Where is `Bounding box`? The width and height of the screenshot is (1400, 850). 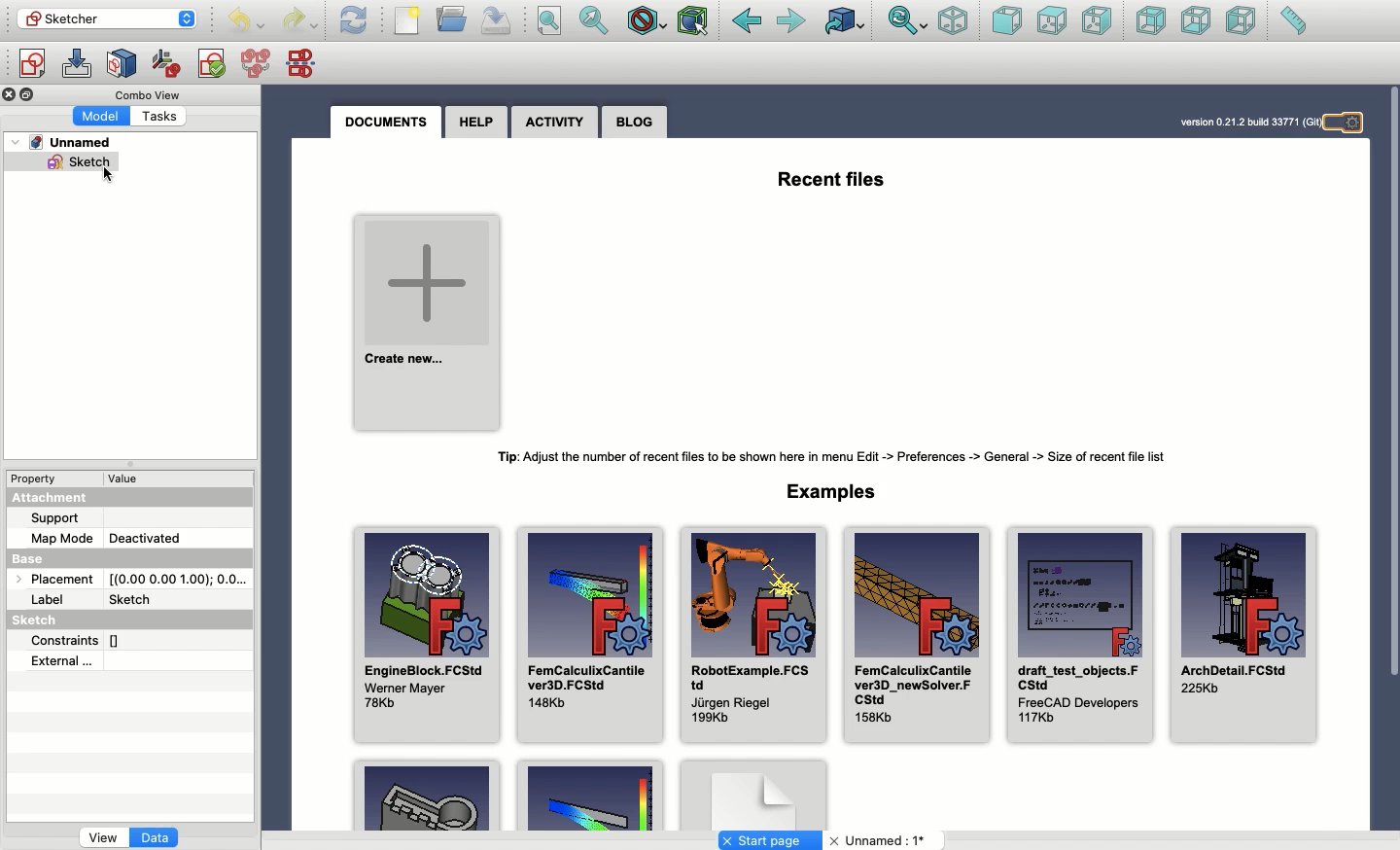
Bounding box is located at coordinates (694, 22).